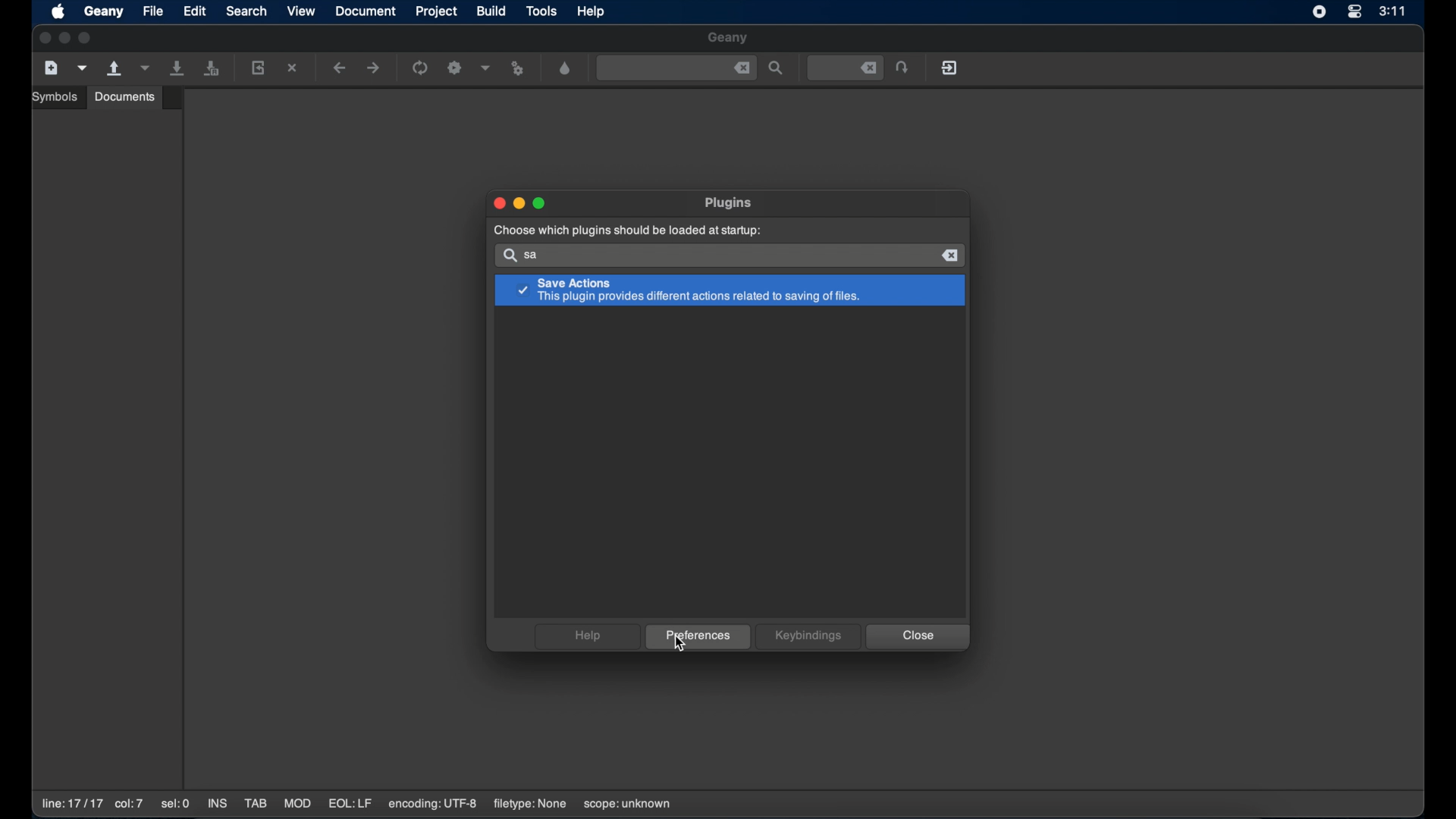 This screenshot has width=1456, height=819. I want to click on screen recorder icon, so click(1319, 12).